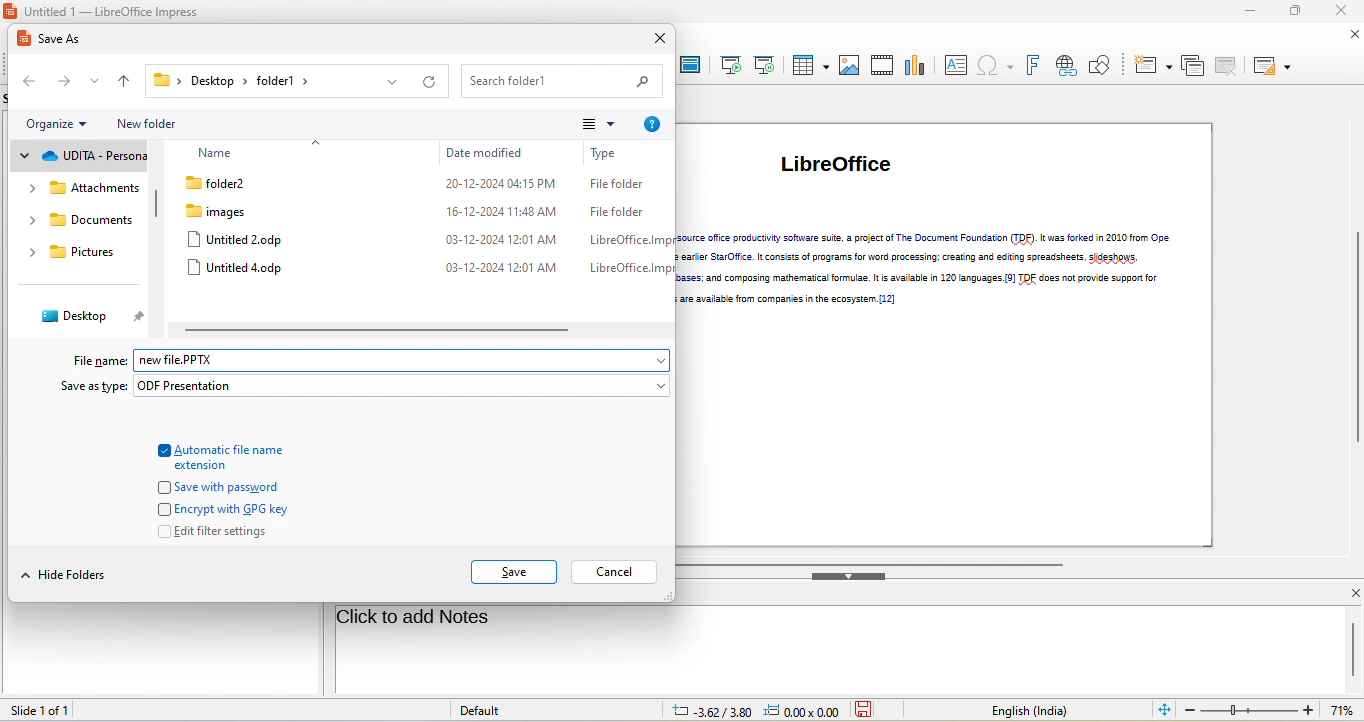 Image resolution: width=1364 pixels, height=722 pixels. I want to click on search, so click(559, 81).